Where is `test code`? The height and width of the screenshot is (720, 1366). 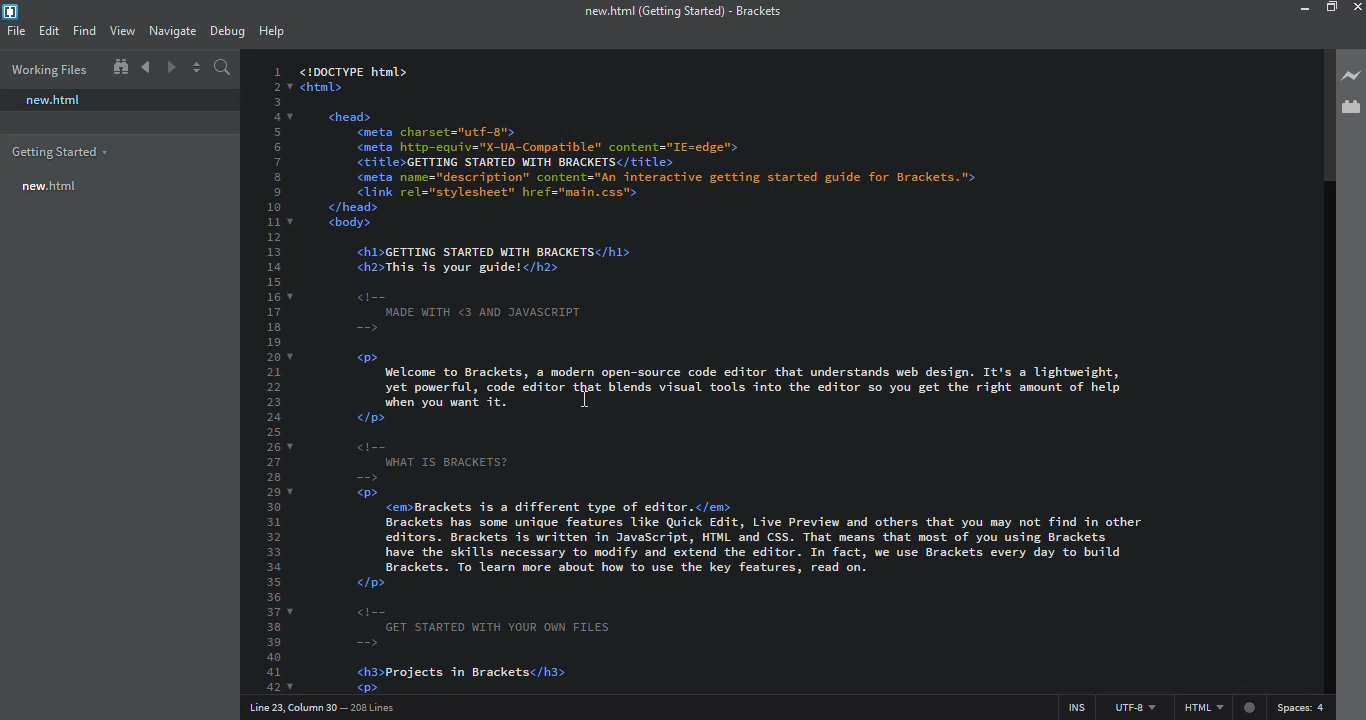 test code is located at coordinates (755, 567).